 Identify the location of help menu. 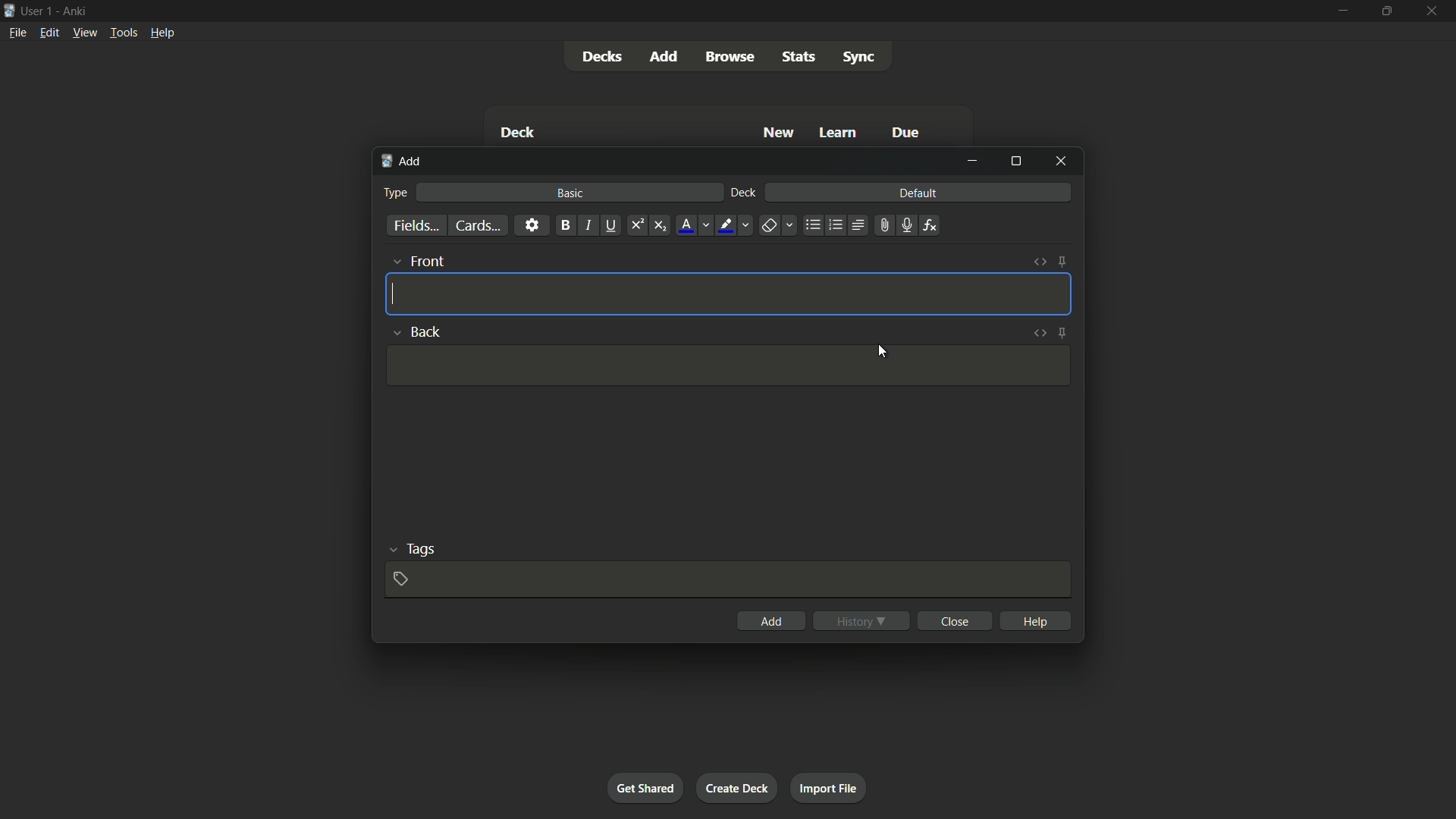
(163, 33).